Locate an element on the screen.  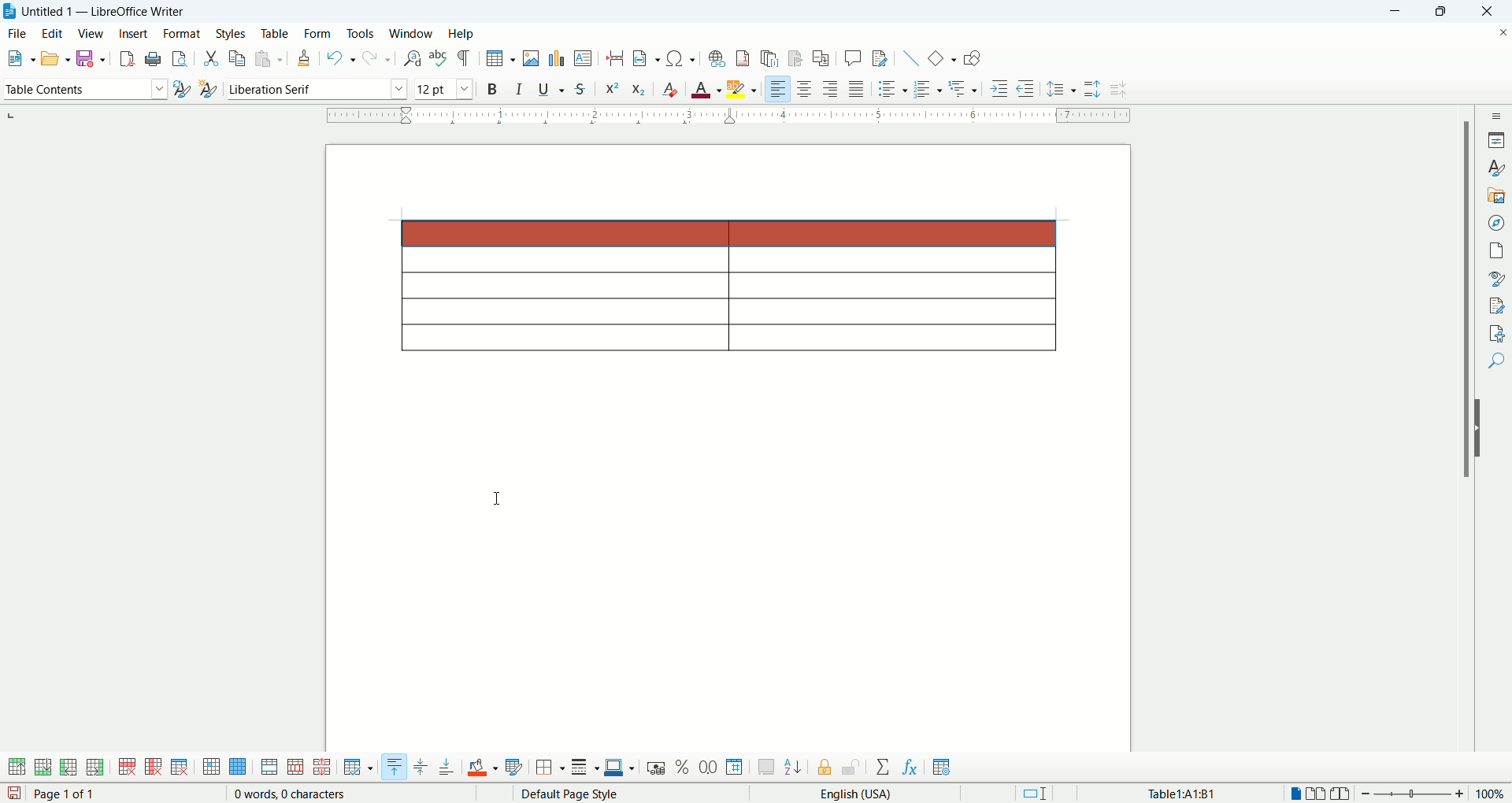
open is located at coordinates (55, 57).